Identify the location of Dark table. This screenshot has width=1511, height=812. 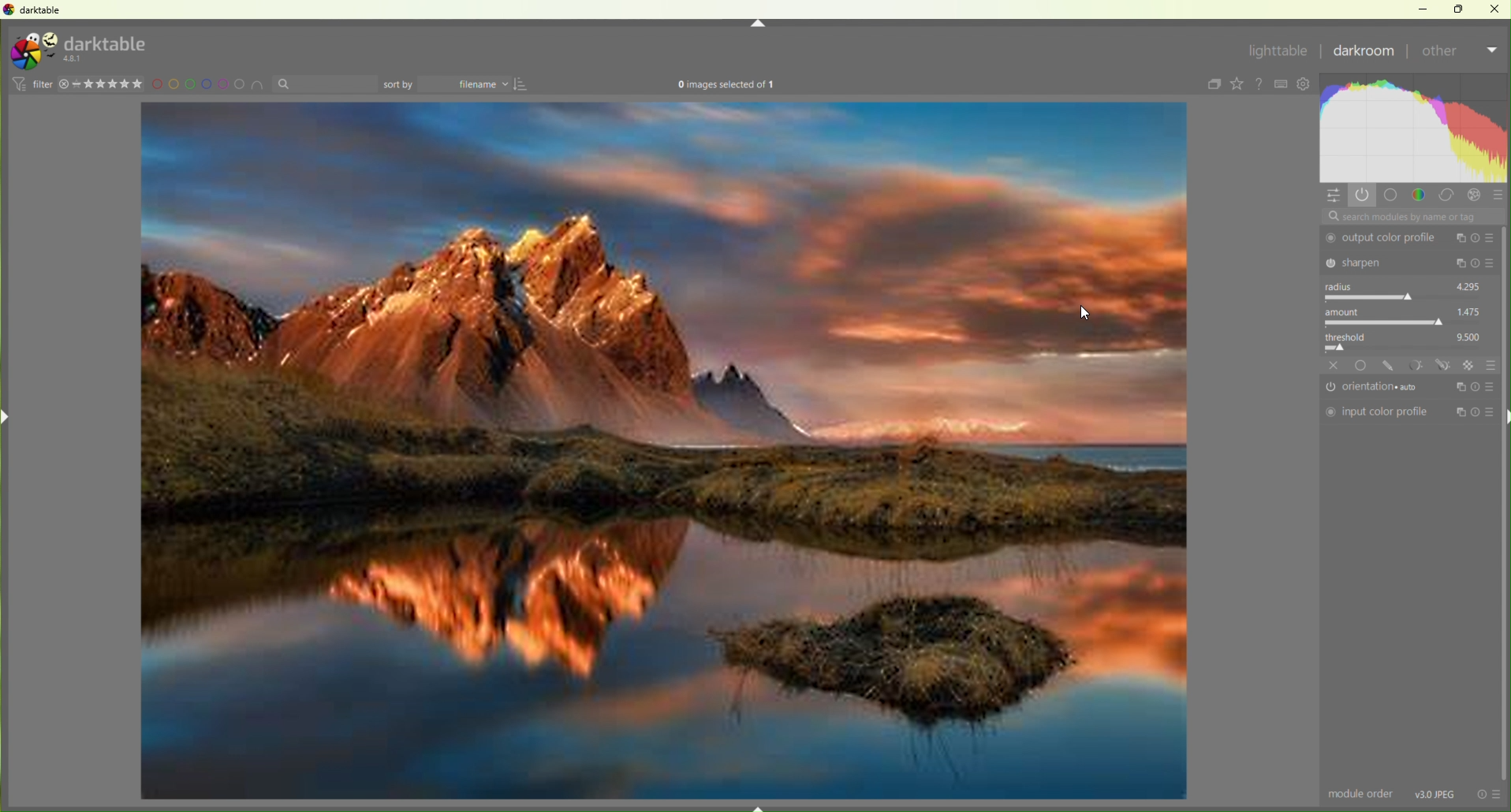
(44, 10).